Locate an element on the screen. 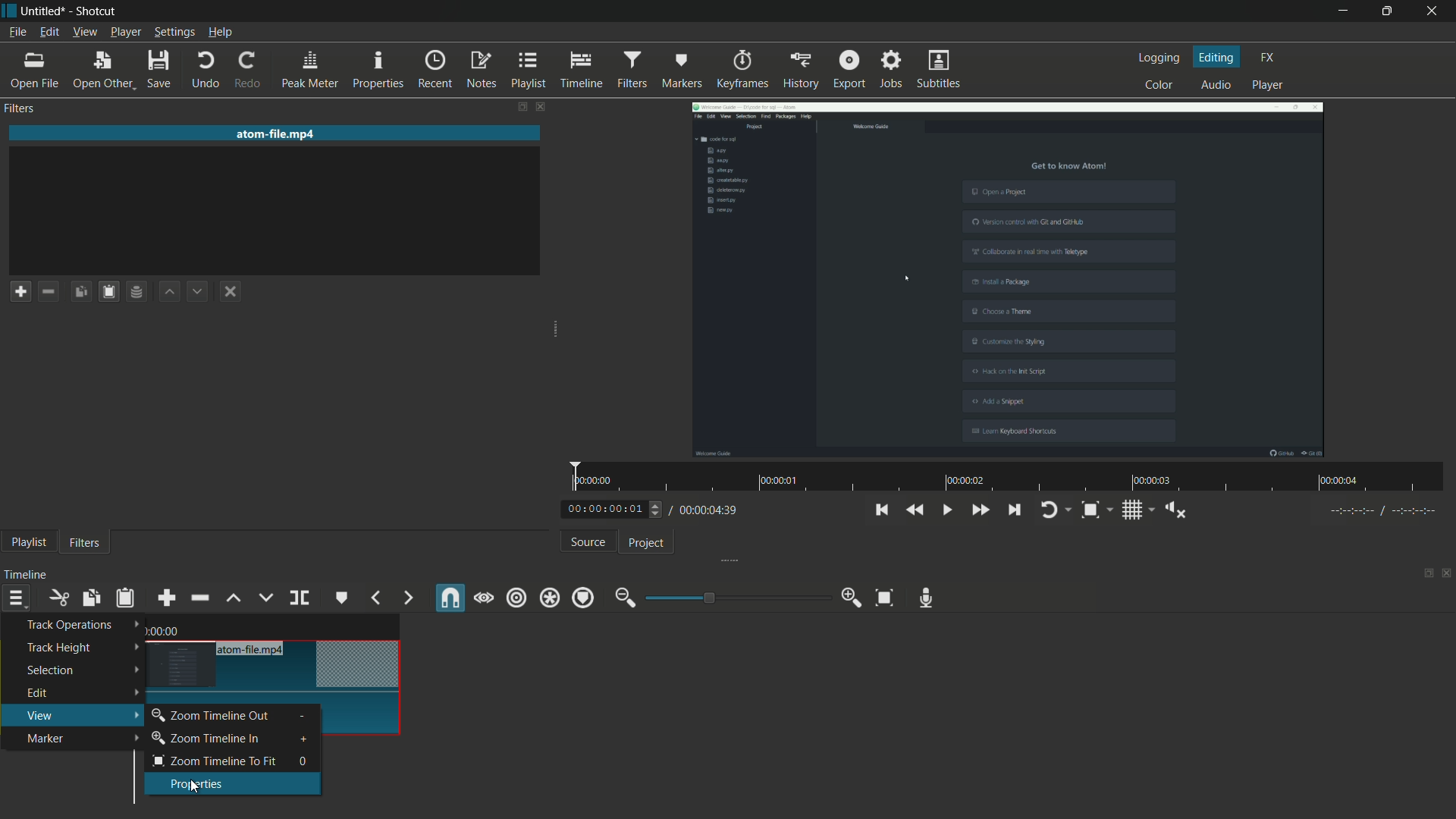 The width and height of the screenshot is (1456, 819). timeline is located at coordinates (25, 574).